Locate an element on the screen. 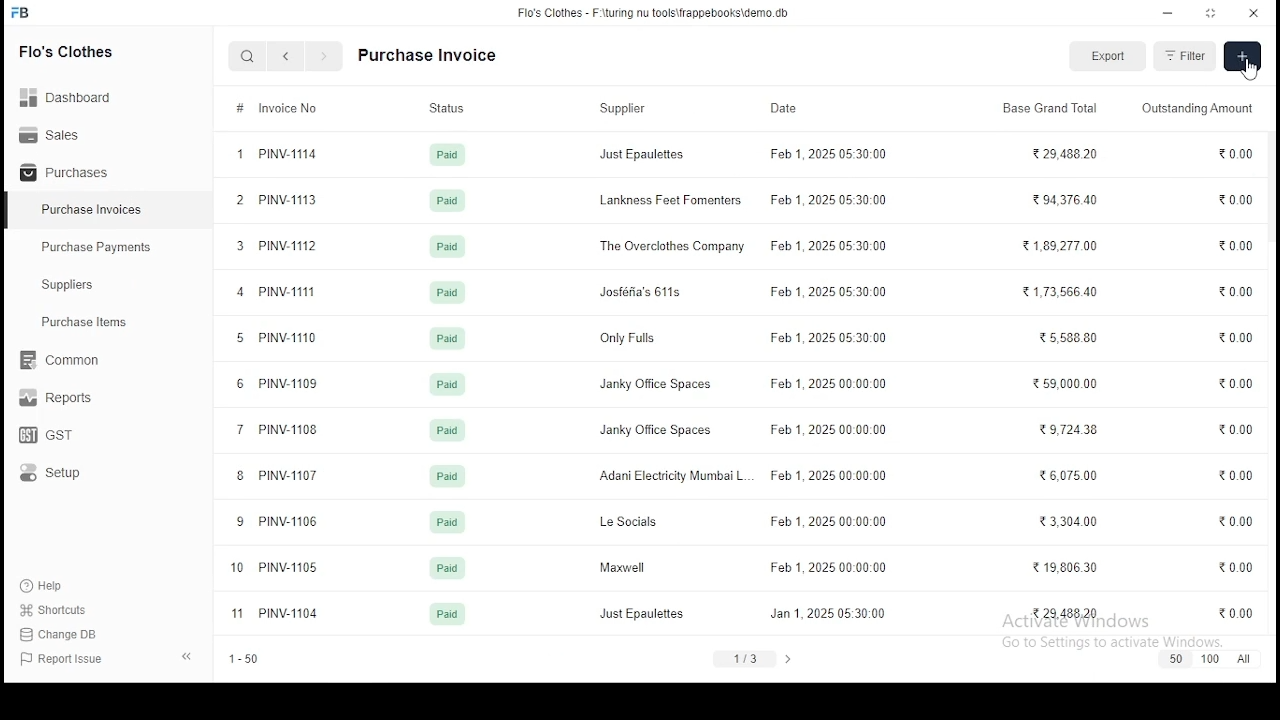  help is located at coordinates (46, 583).